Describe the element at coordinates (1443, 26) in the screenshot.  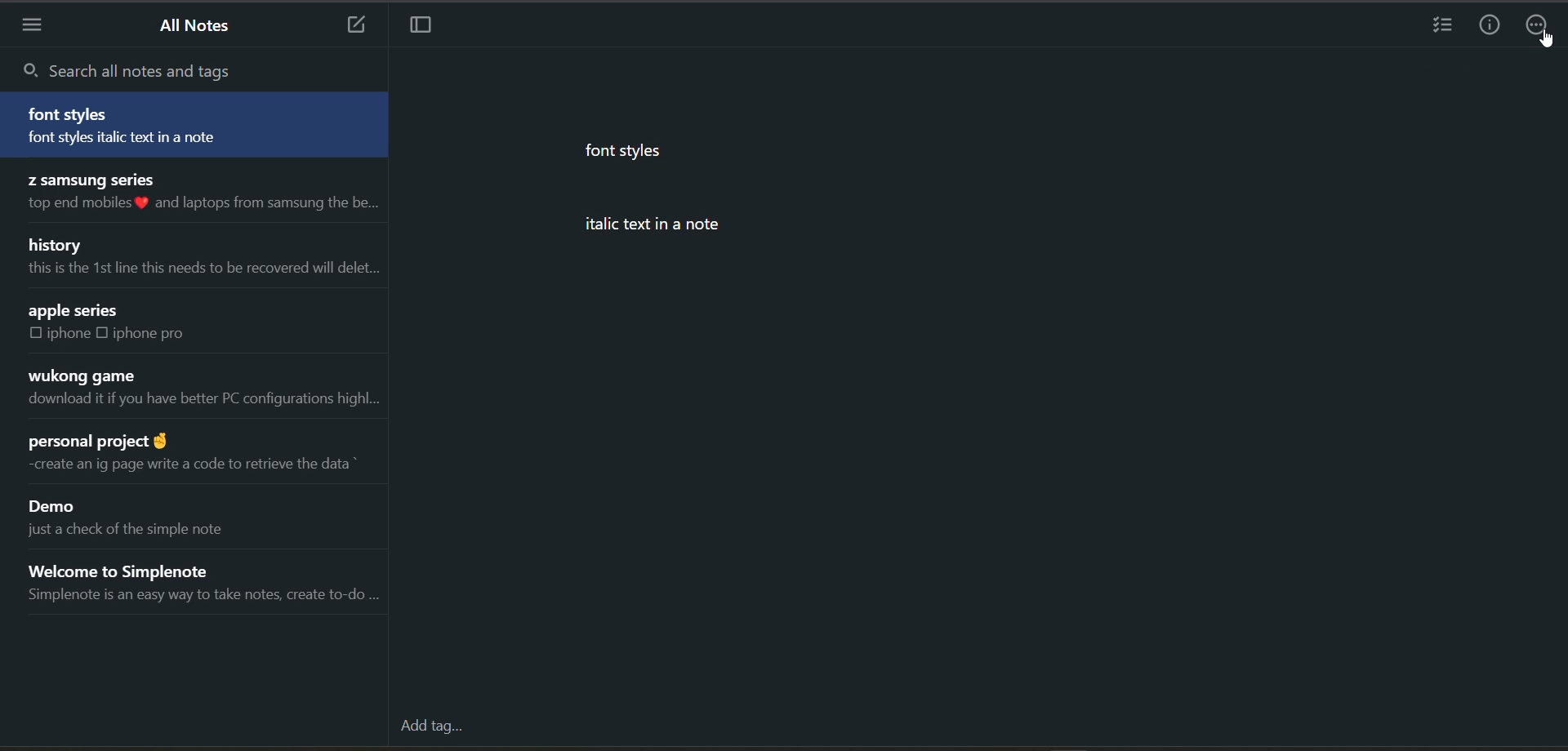
I see `insert checklist` at that location.